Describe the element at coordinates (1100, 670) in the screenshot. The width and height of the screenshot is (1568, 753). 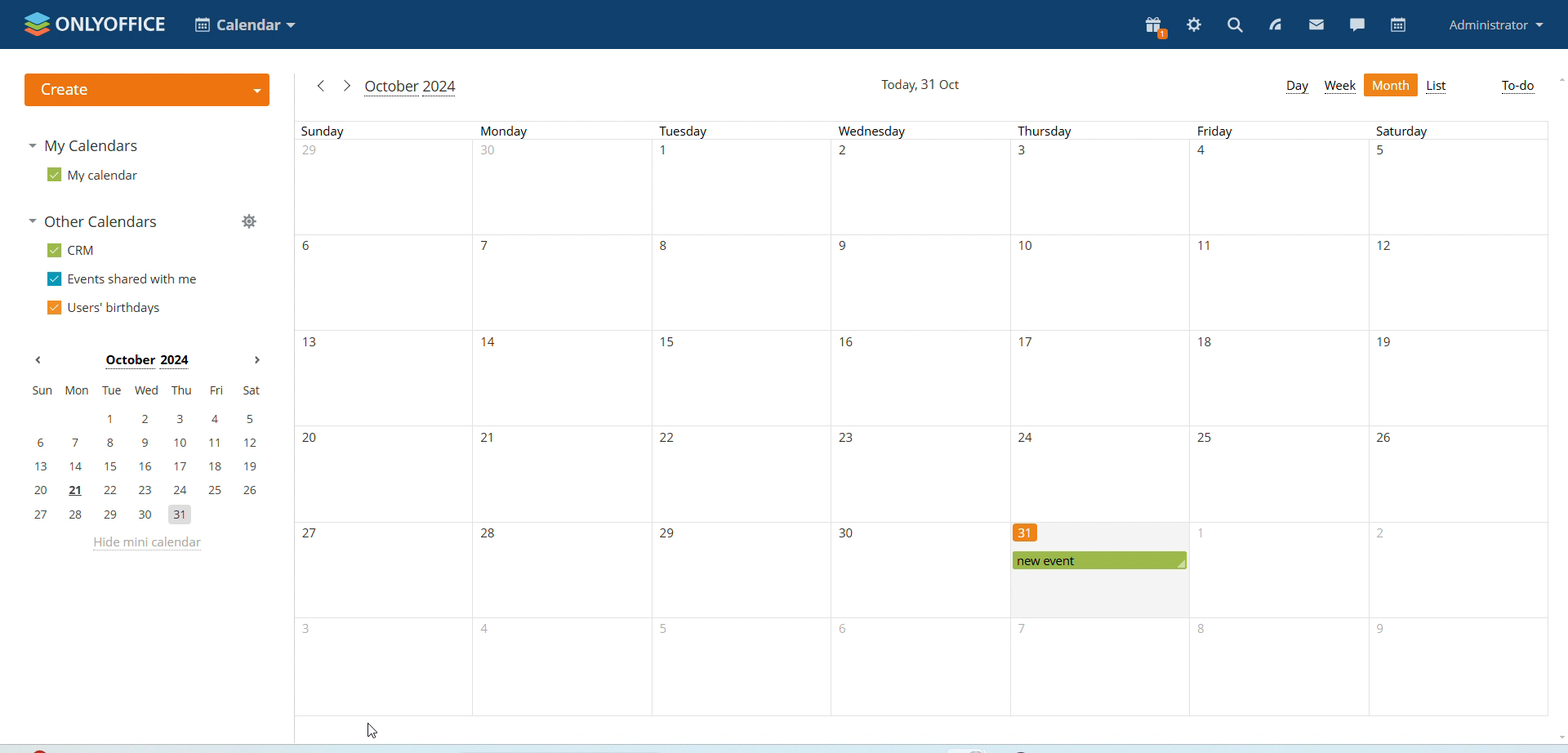
I see `Thursday 7th november` at that location.